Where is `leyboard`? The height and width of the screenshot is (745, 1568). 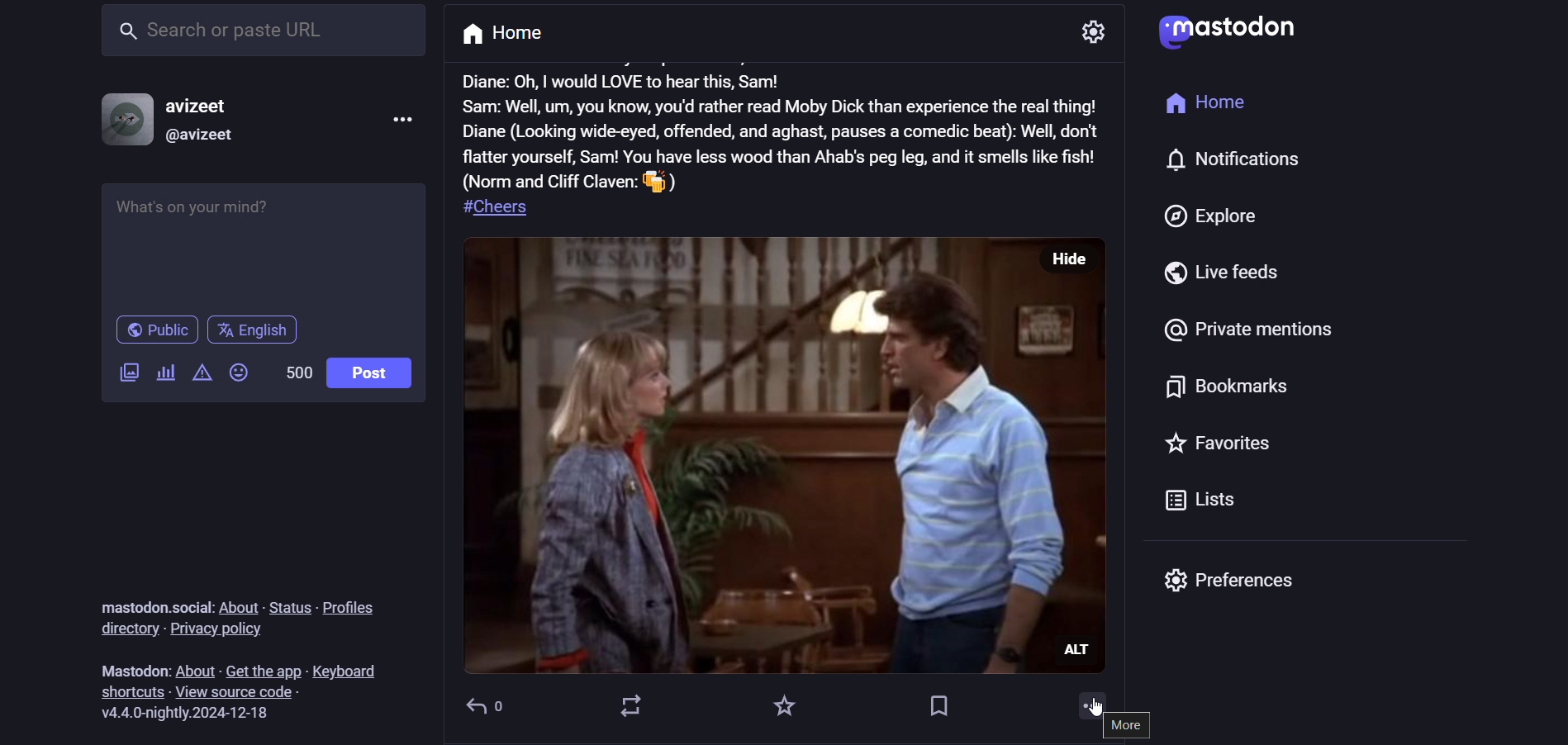 leyboard is located at coordinates (352, 670).